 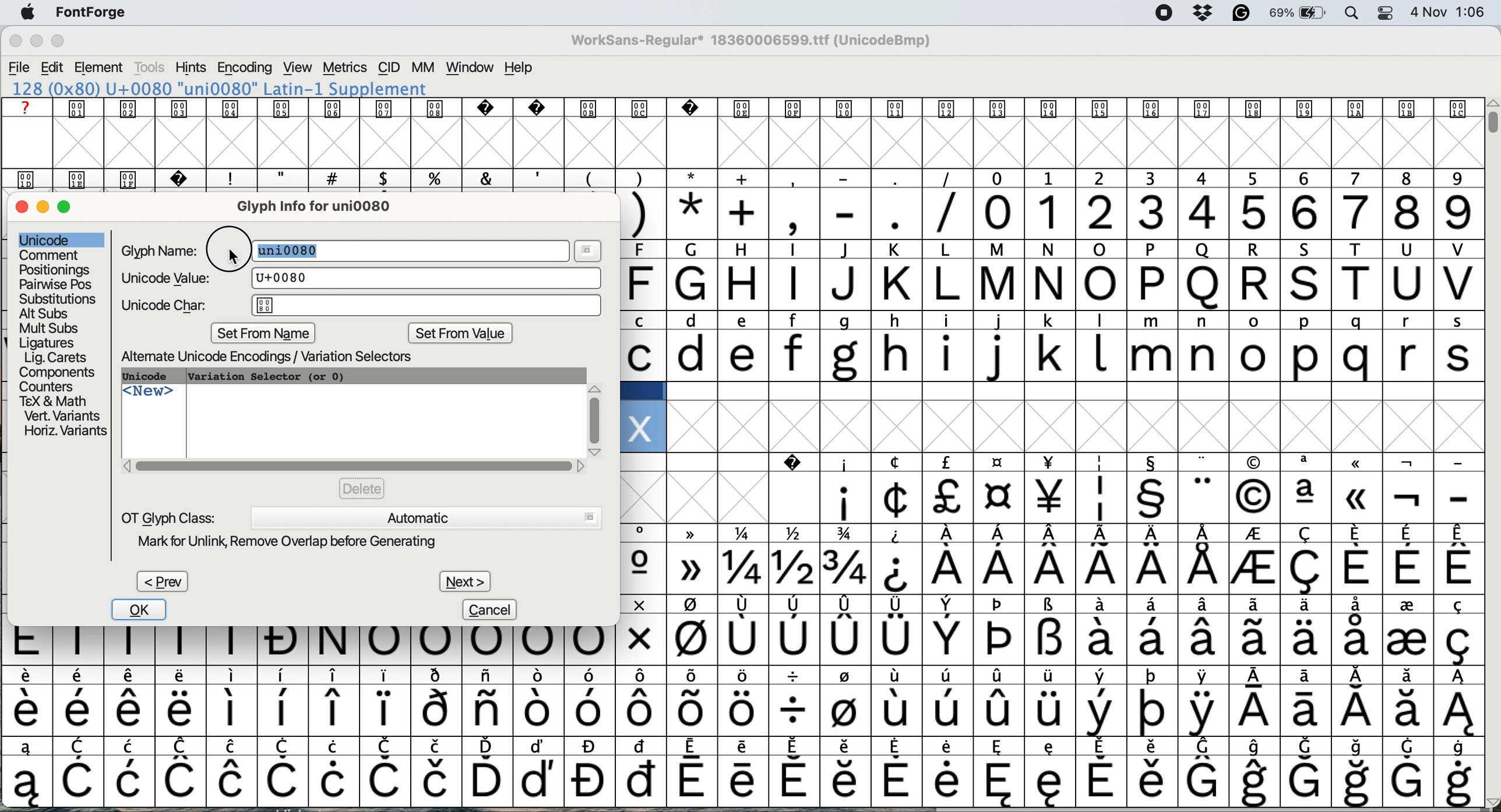 I want to click on special characters, so click(x=737, y=710).